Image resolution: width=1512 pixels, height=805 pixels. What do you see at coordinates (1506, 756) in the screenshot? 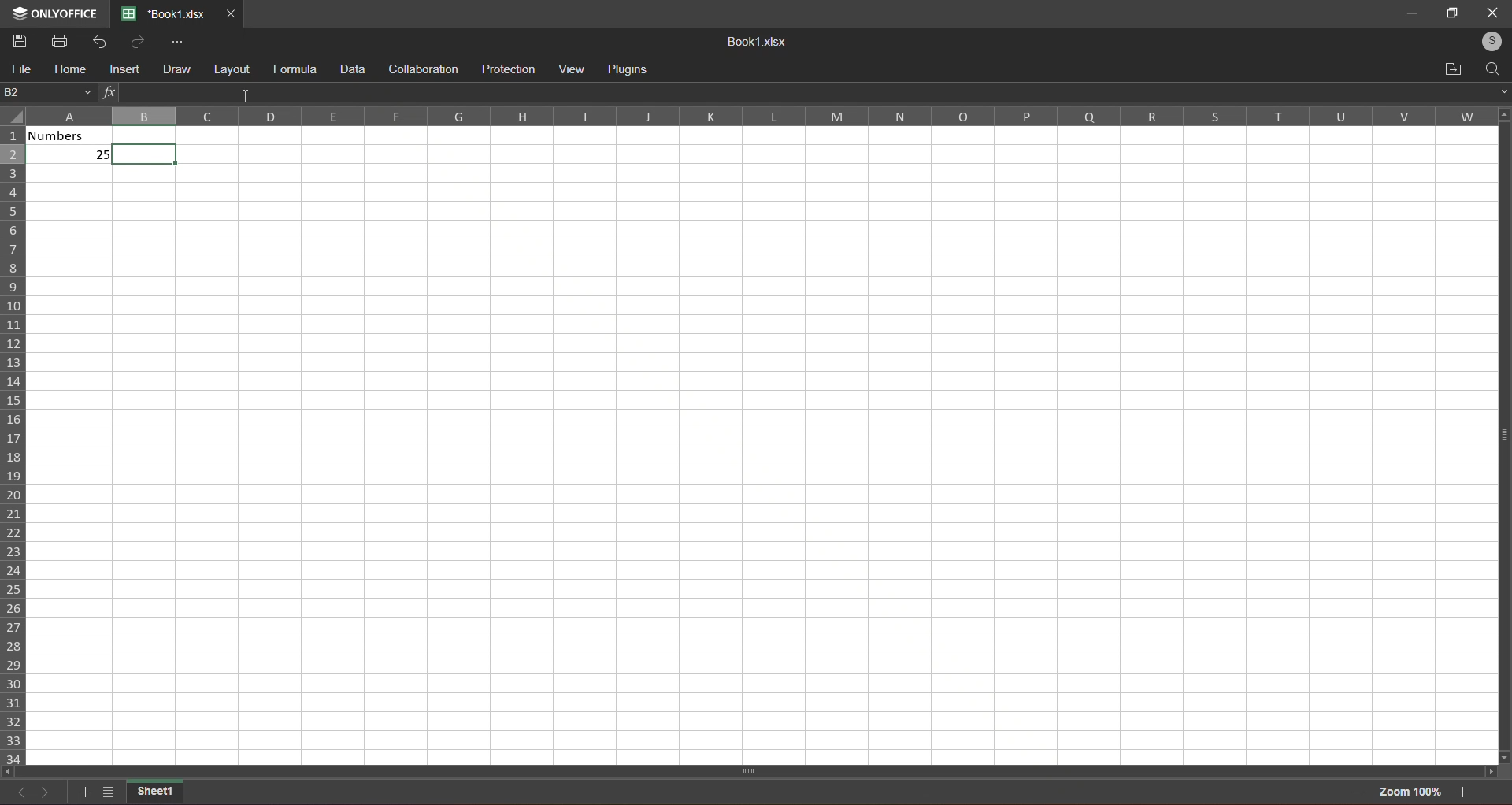
I see `scroll down` at bounding box center [1506, 756].